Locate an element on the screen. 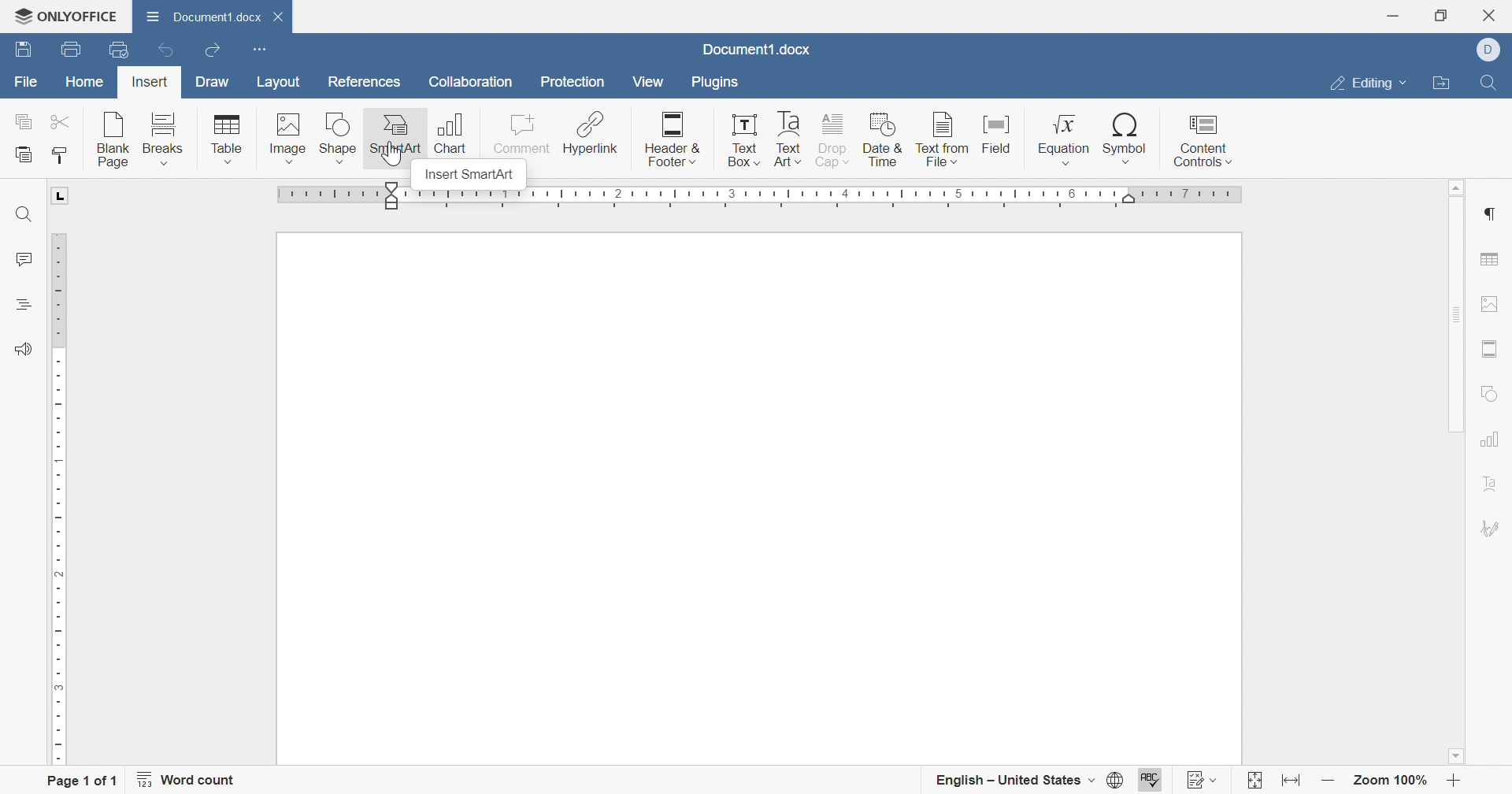 This screenshot has height=794, width=1512. Collaboration is located at coordinates (469, 82).